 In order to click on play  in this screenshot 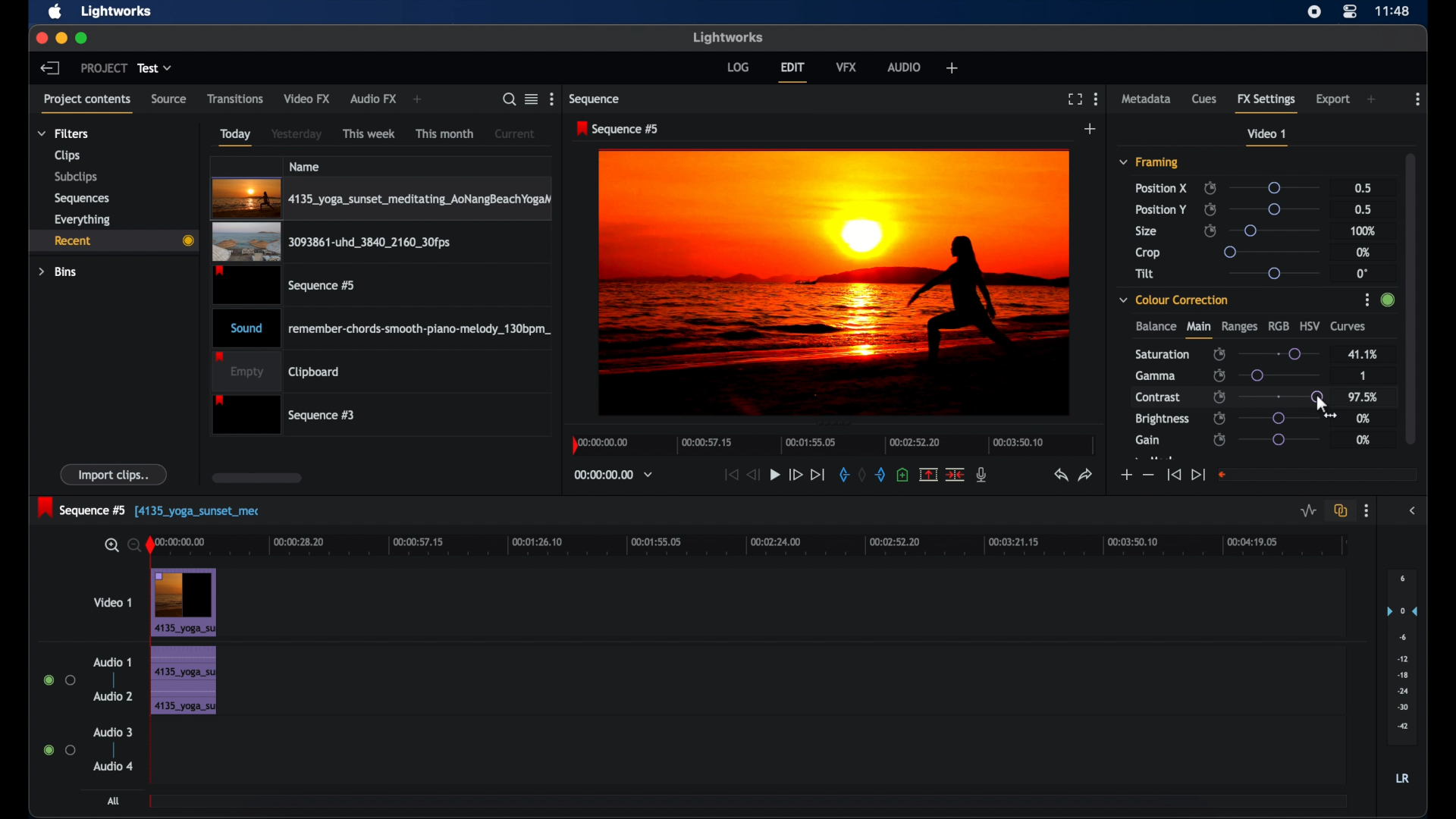, I will do `click(775, 475)`.